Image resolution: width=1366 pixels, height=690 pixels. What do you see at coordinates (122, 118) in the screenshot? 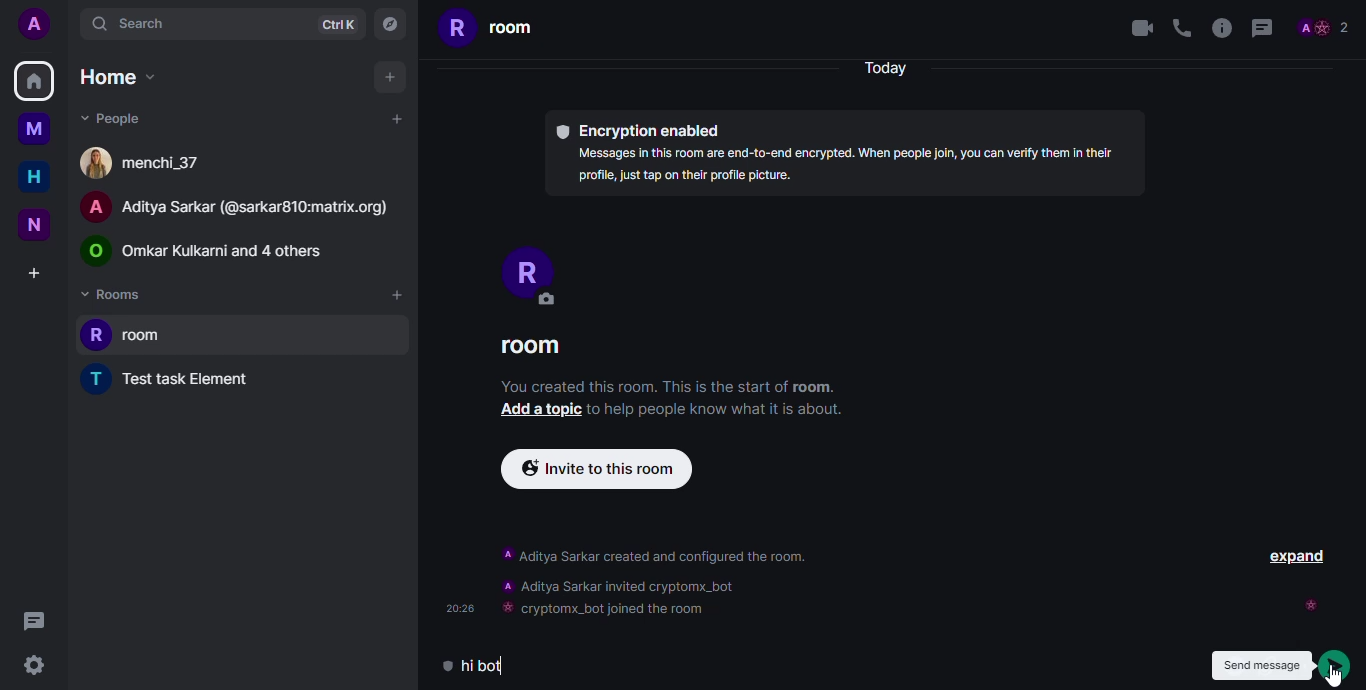
I see `people` at bounding box center [122, 118].